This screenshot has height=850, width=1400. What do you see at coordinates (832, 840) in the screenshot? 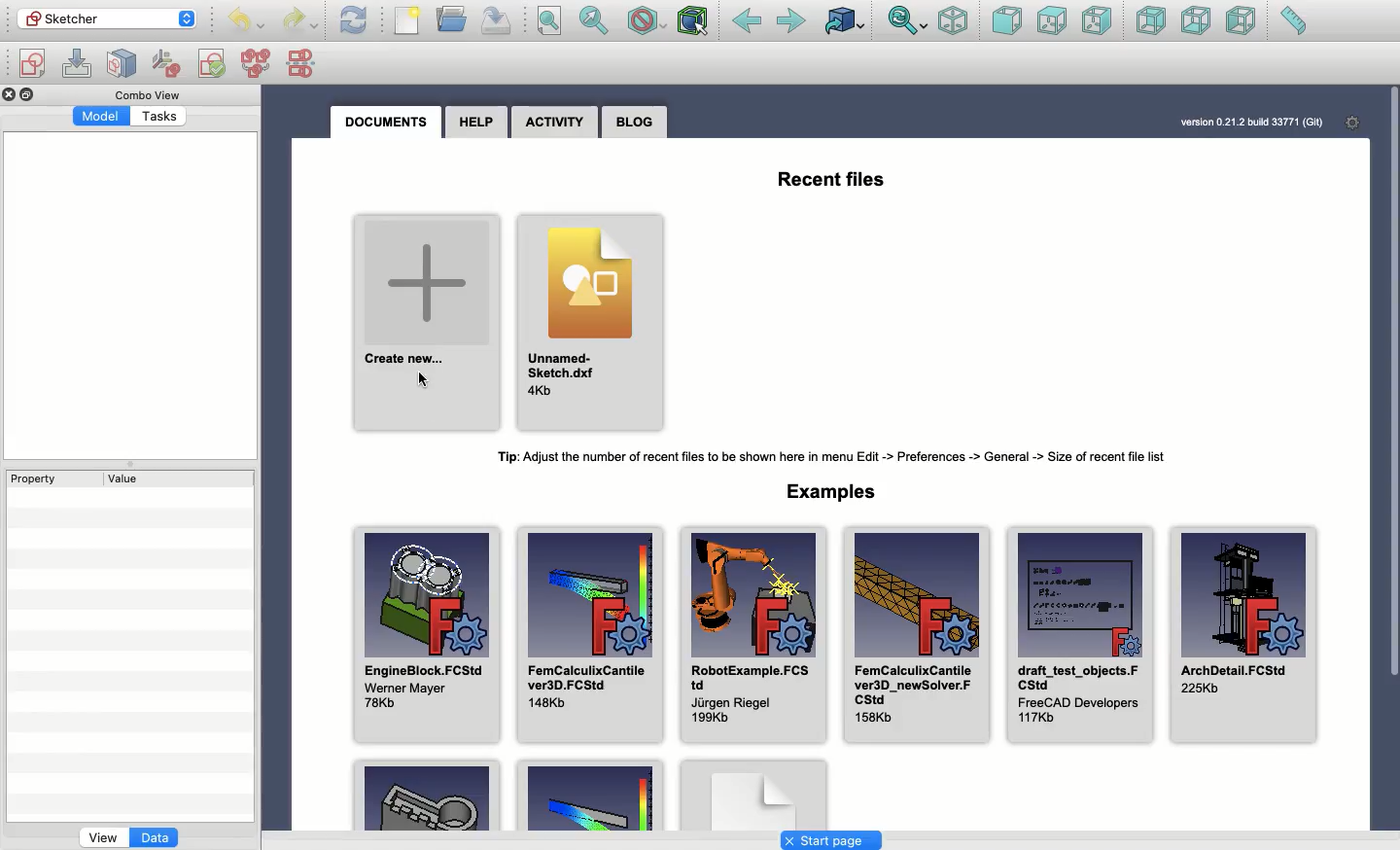
I see `Start page` at bounding box center [832, 840].